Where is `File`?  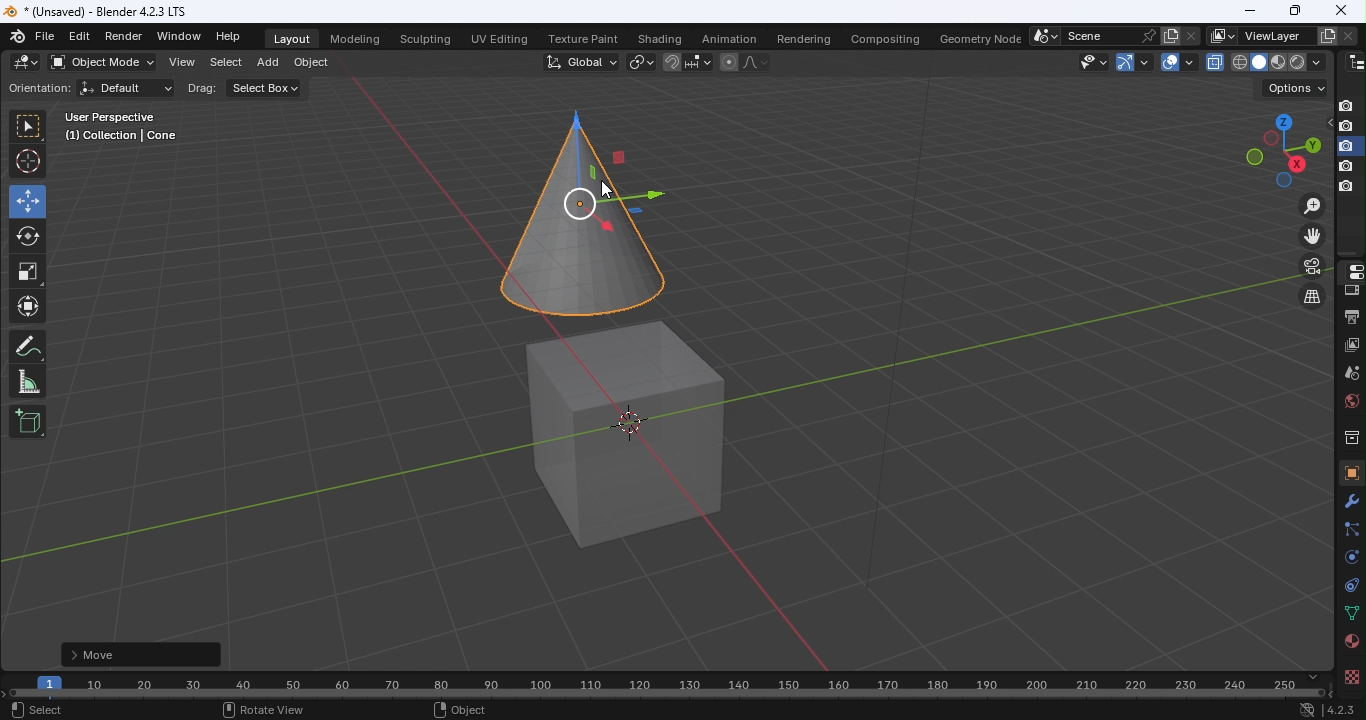
File is located at coordinates (46, 37).